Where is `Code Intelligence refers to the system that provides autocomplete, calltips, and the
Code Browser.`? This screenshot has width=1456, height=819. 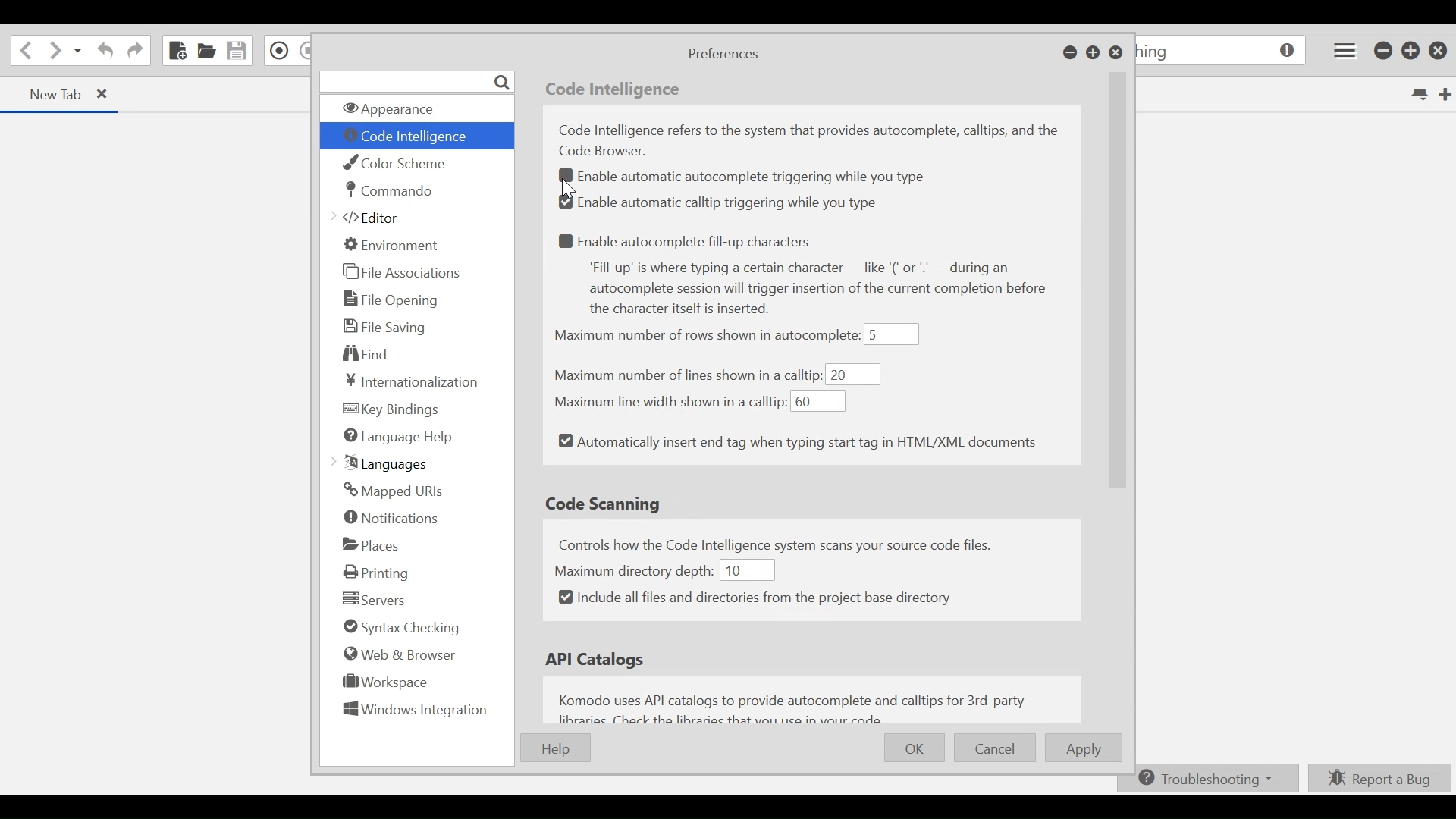 Code Intelligence refers to the system that provides autocomplete, calltips, and the
Code Browser. is located at coordinates (814, 140).